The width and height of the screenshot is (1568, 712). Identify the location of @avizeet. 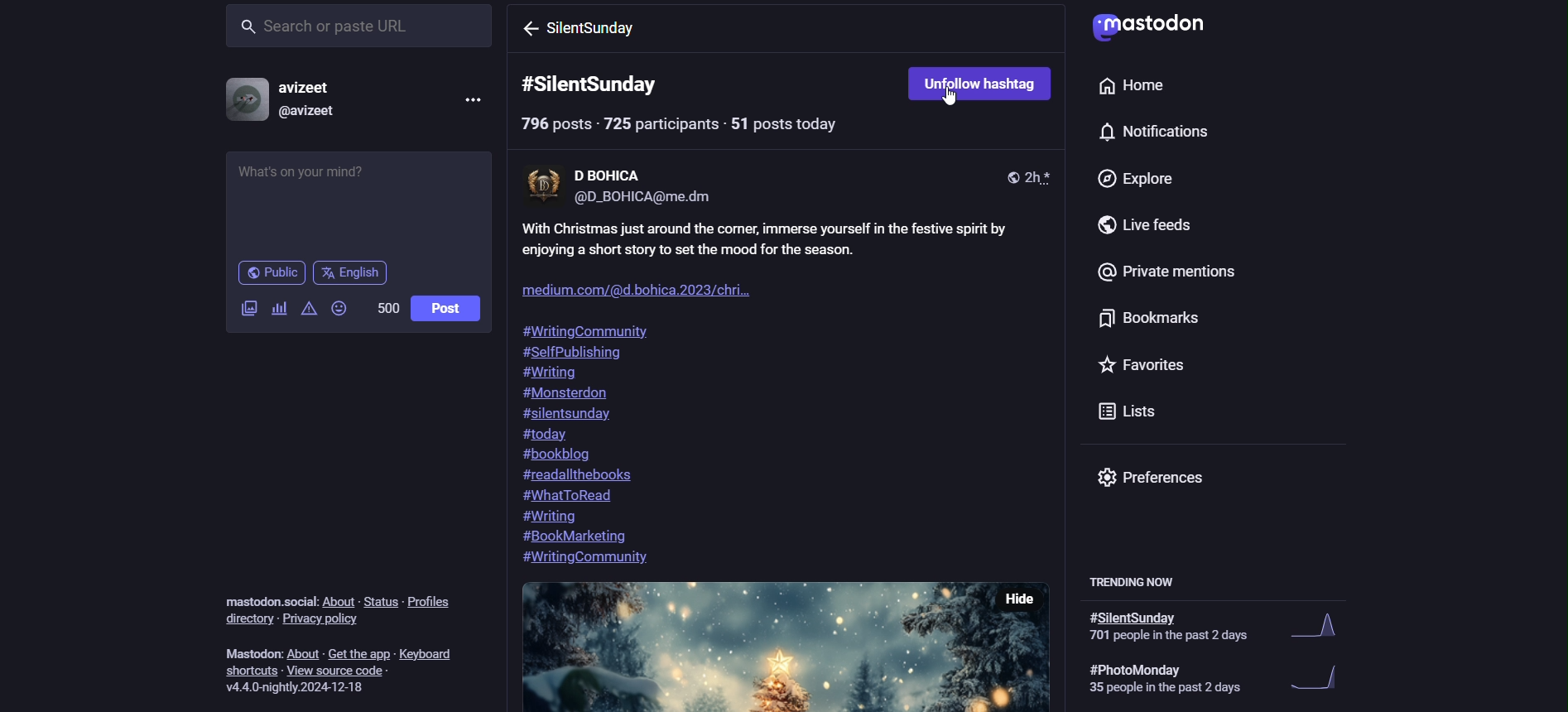
(312, 112).